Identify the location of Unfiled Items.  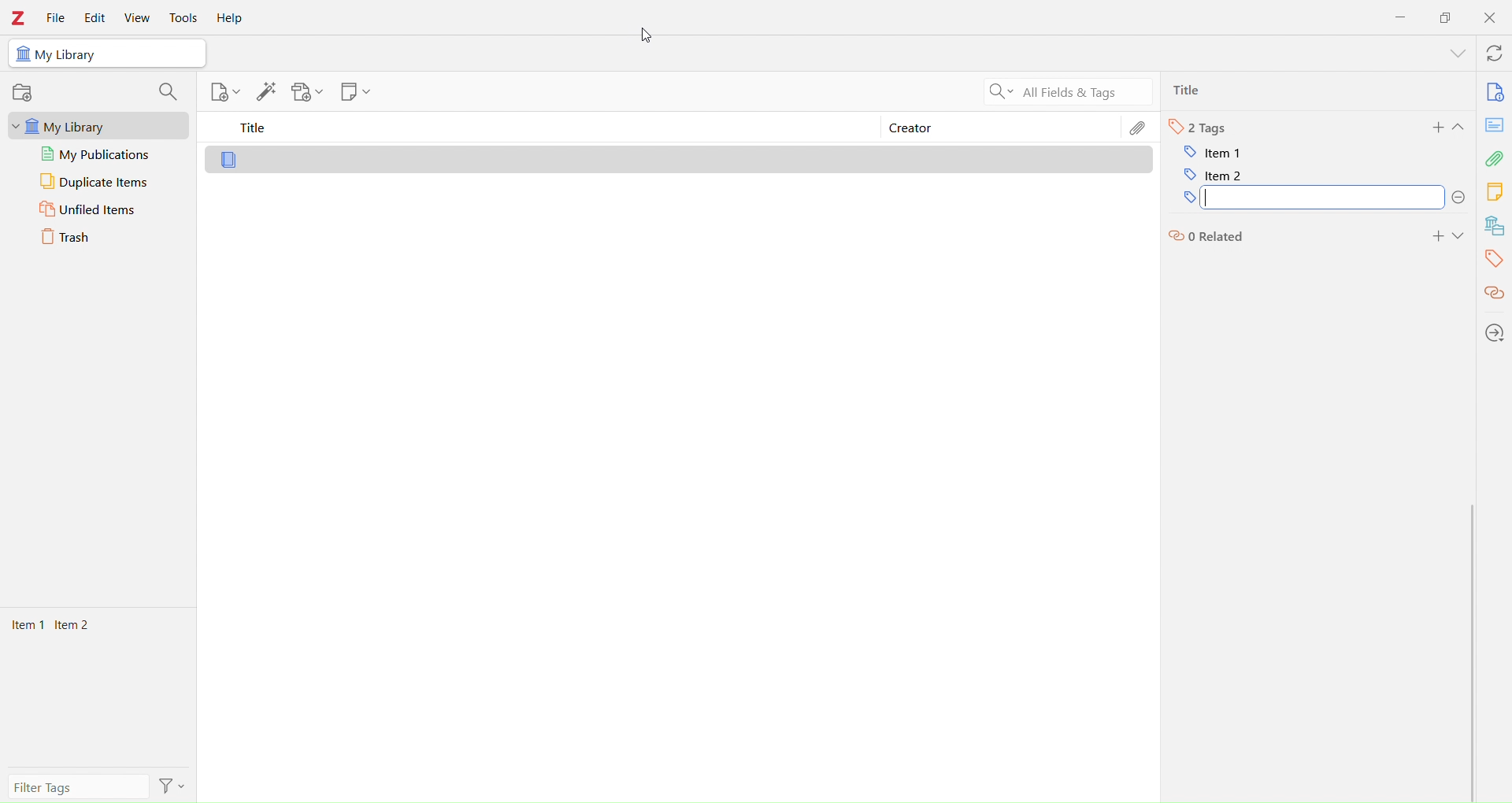
(91, 212).